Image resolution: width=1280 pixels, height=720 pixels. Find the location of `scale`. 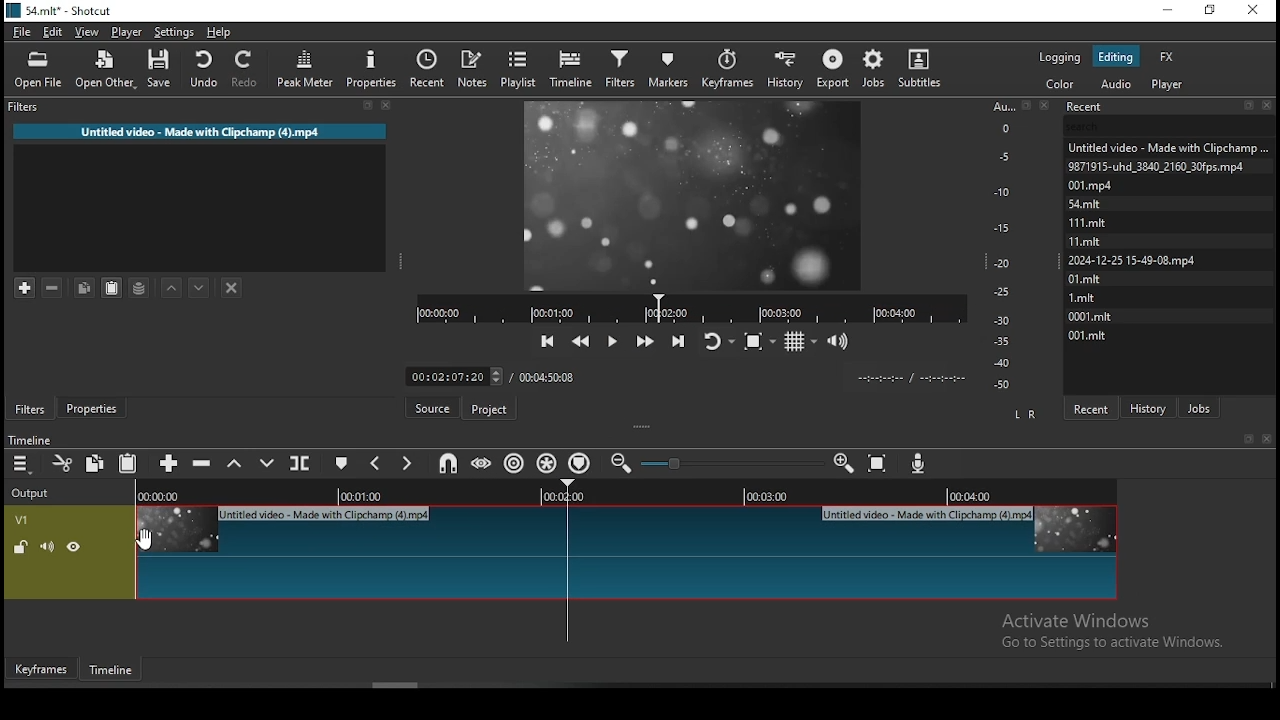

scale is located at coordinates (1005, 247).